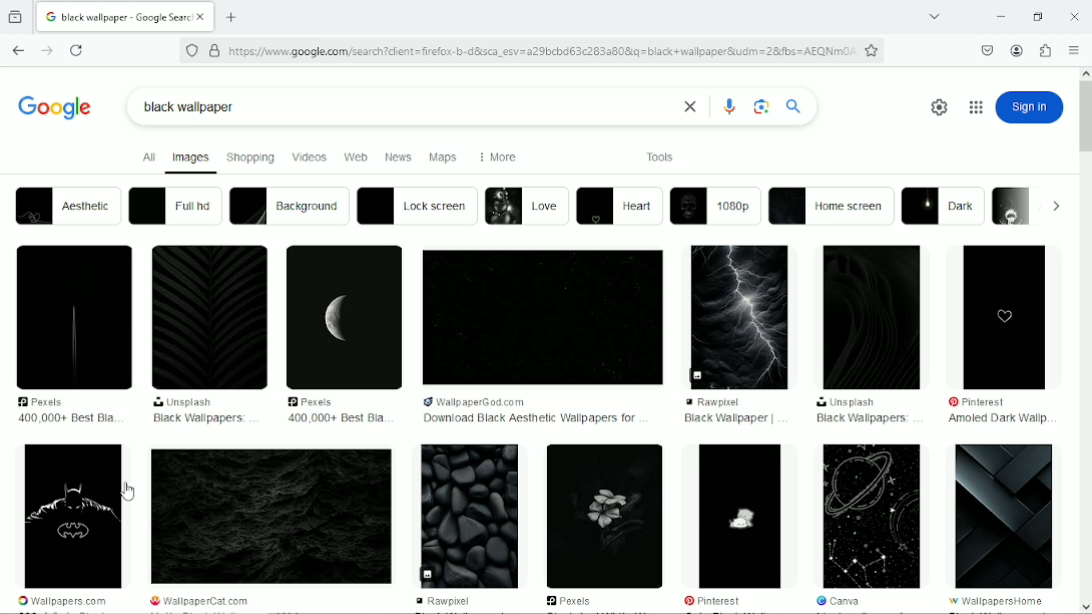 This screenshot has width=1092, height=614. I want to click on uniplash, so click(847, 403).